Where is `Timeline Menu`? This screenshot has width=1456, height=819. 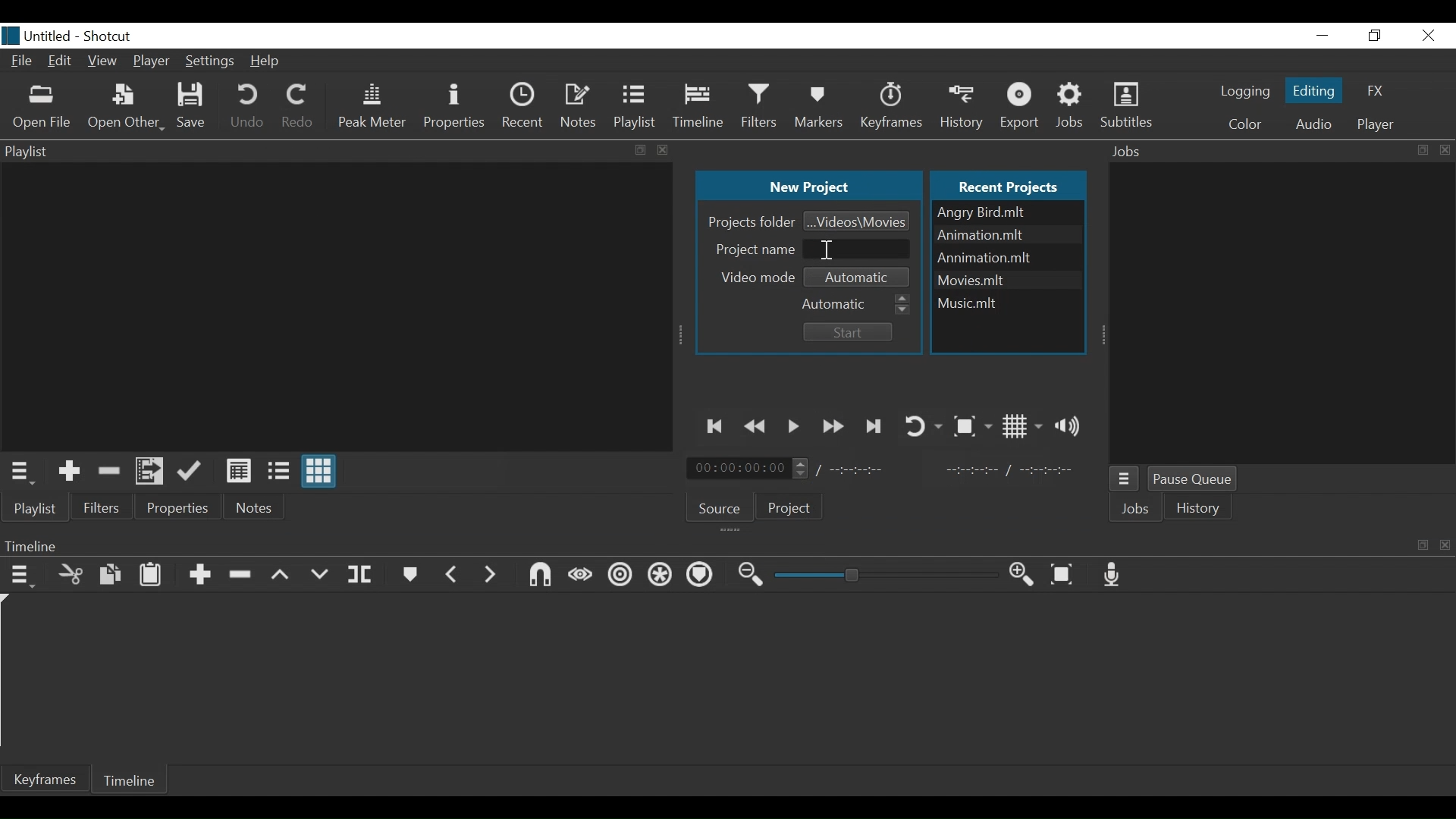 Timeline Menu is located at coordinates (22, 574).